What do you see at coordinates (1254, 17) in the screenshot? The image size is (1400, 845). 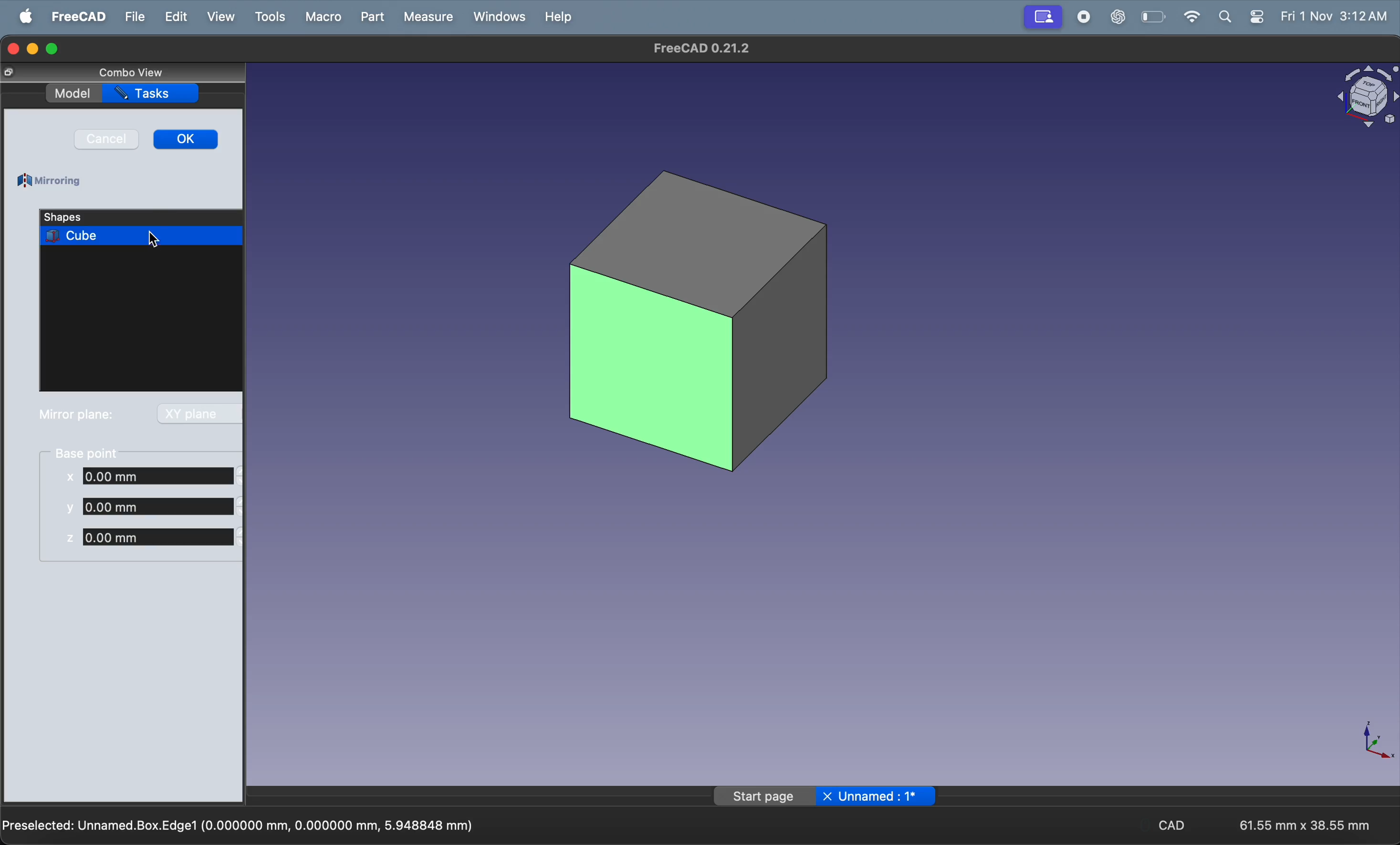 I see `settings` at bounding box center [1254, 17].